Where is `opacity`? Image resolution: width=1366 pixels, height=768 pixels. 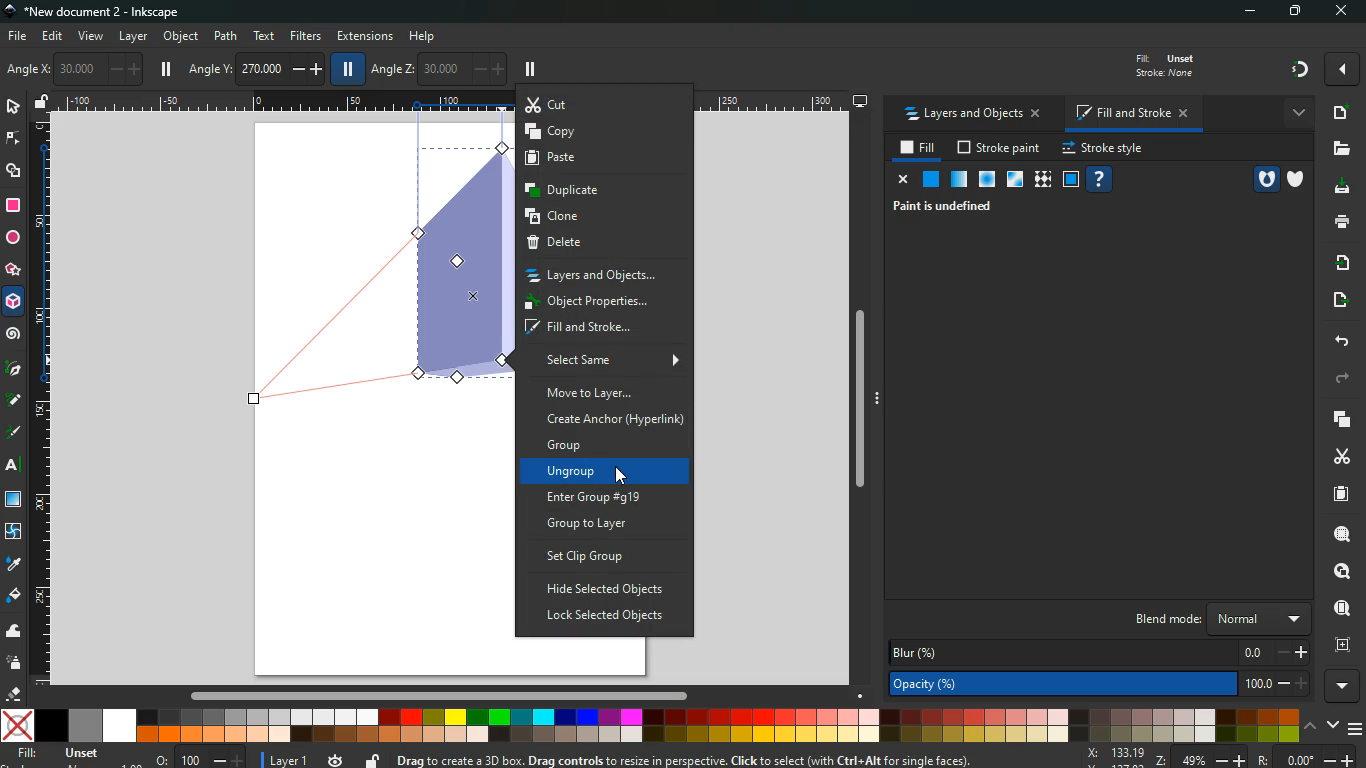 opacity is located at coordinates (959, 180).